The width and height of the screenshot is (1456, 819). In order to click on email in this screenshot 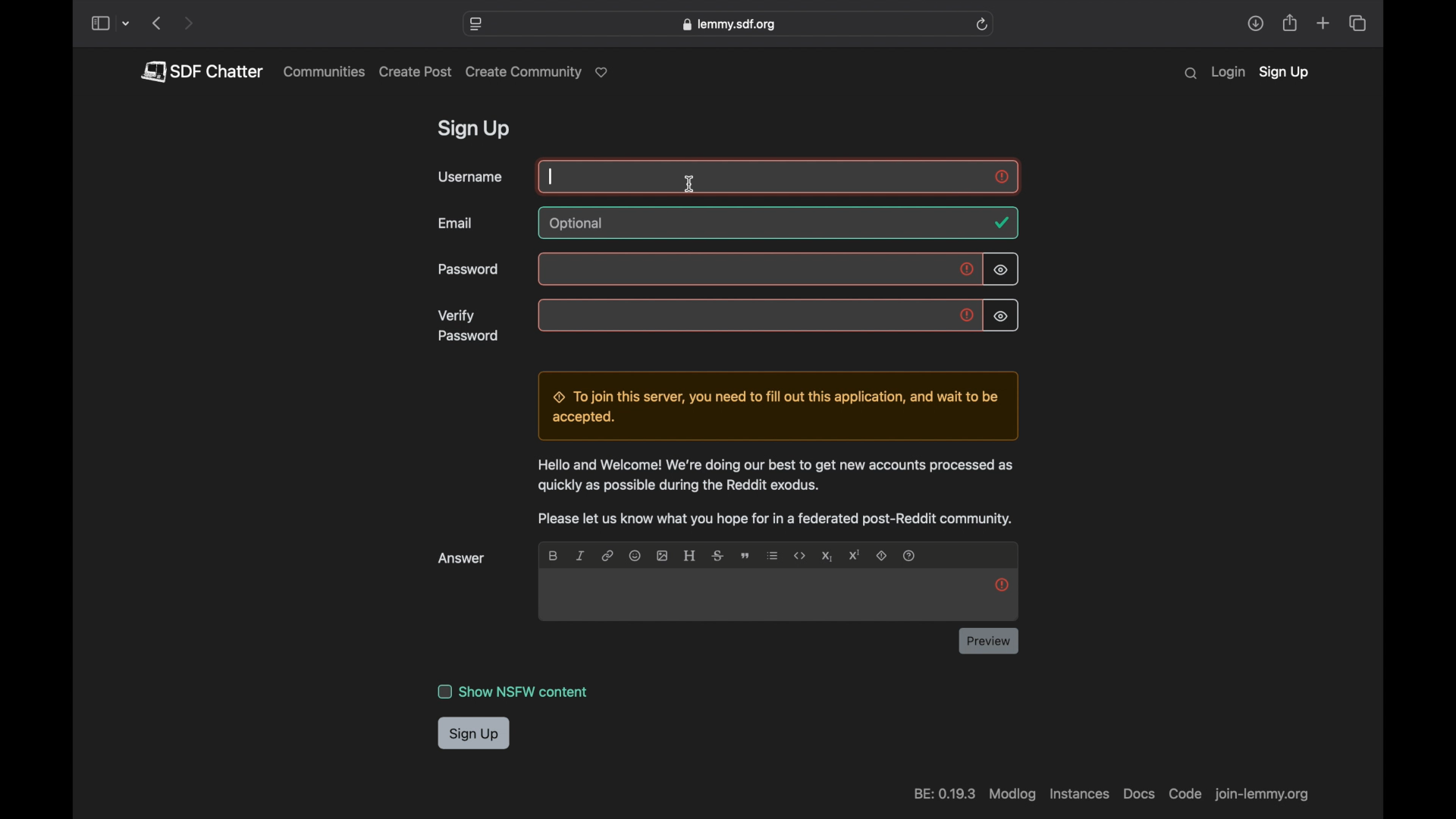, I will do `click(457, 223)`.